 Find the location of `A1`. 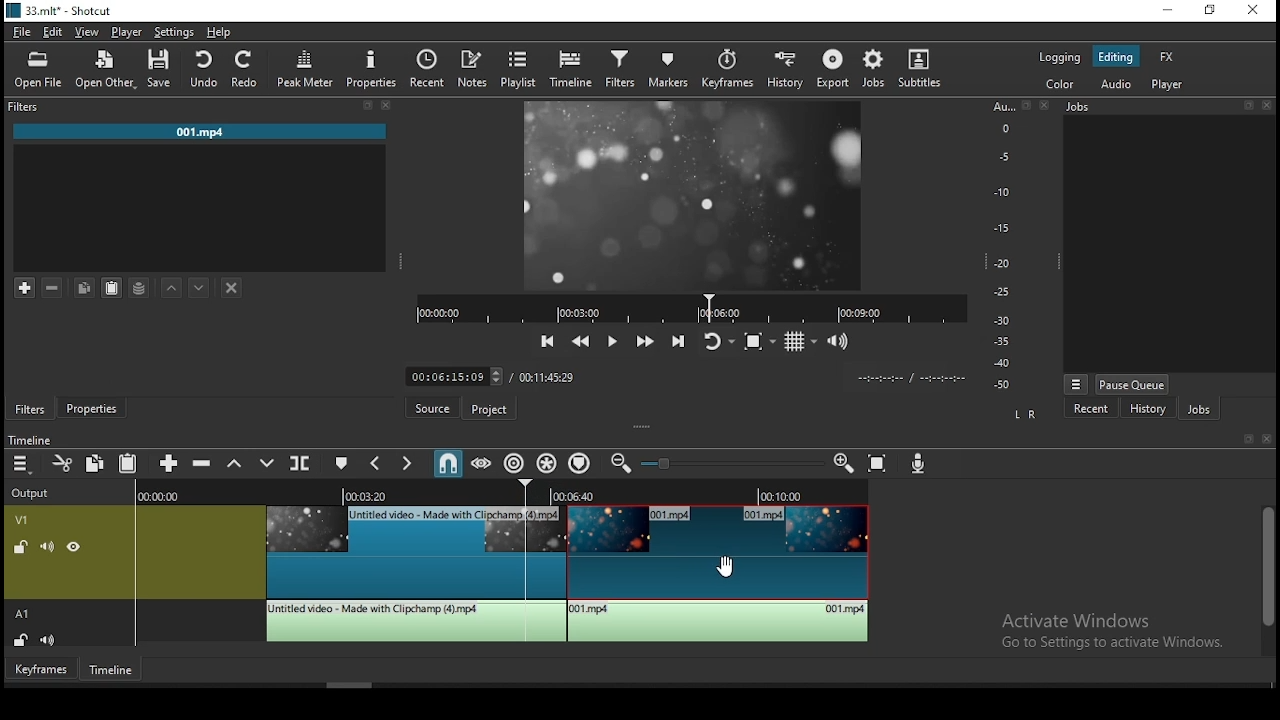

A1 is located at coordinates (29, 253).